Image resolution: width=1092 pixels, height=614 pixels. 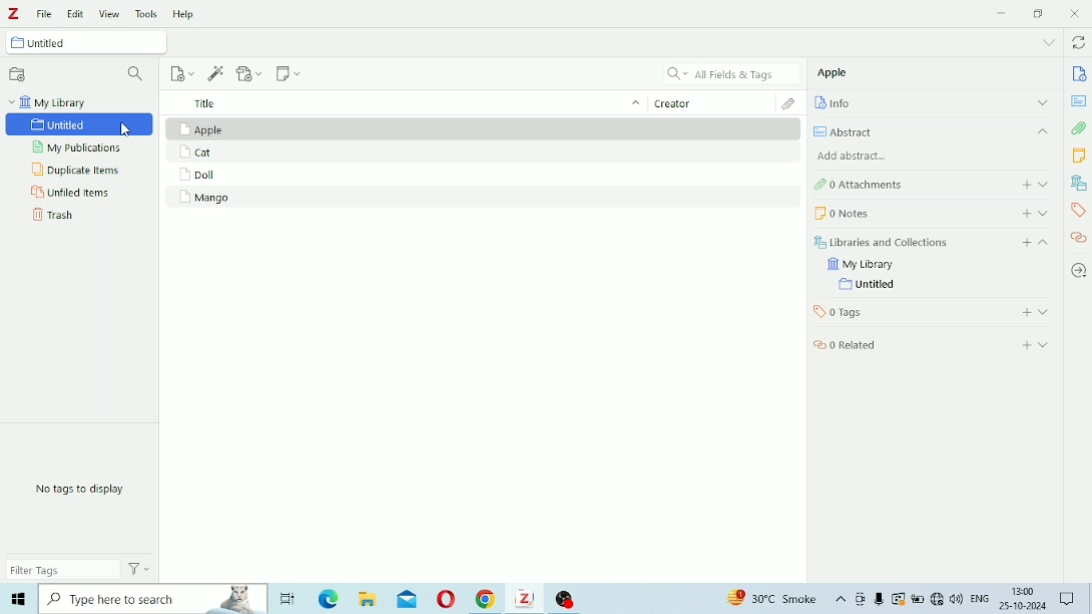 I want to click on , so click(x=444, y=597).